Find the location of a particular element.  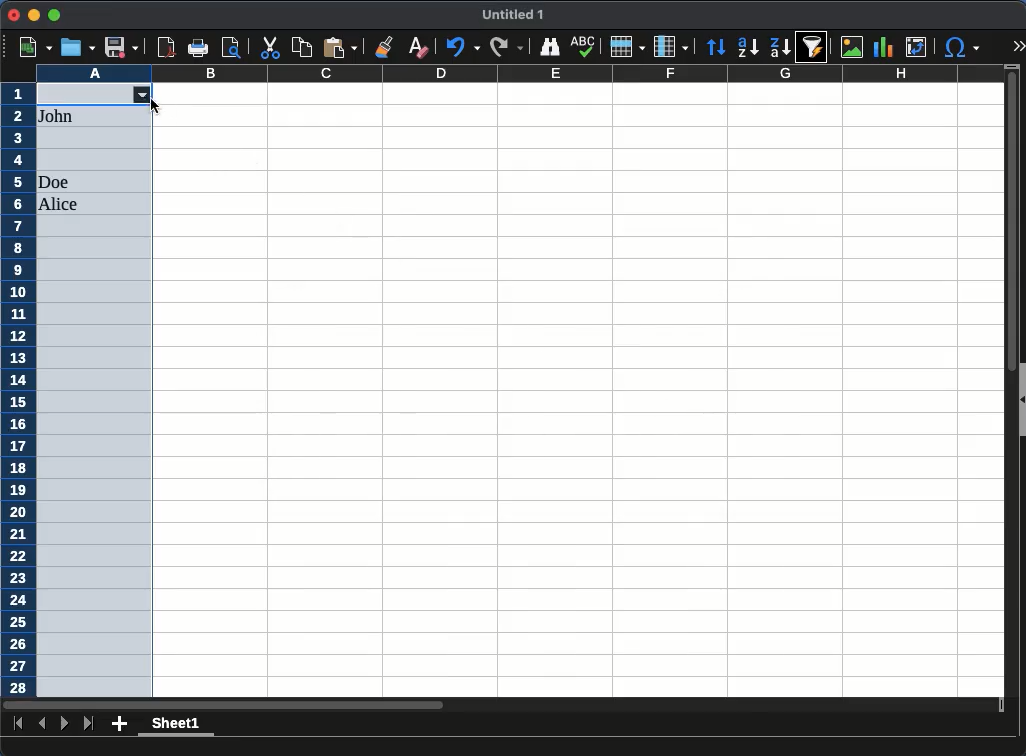

pdf reviewer is located at coordinates (167, 47).